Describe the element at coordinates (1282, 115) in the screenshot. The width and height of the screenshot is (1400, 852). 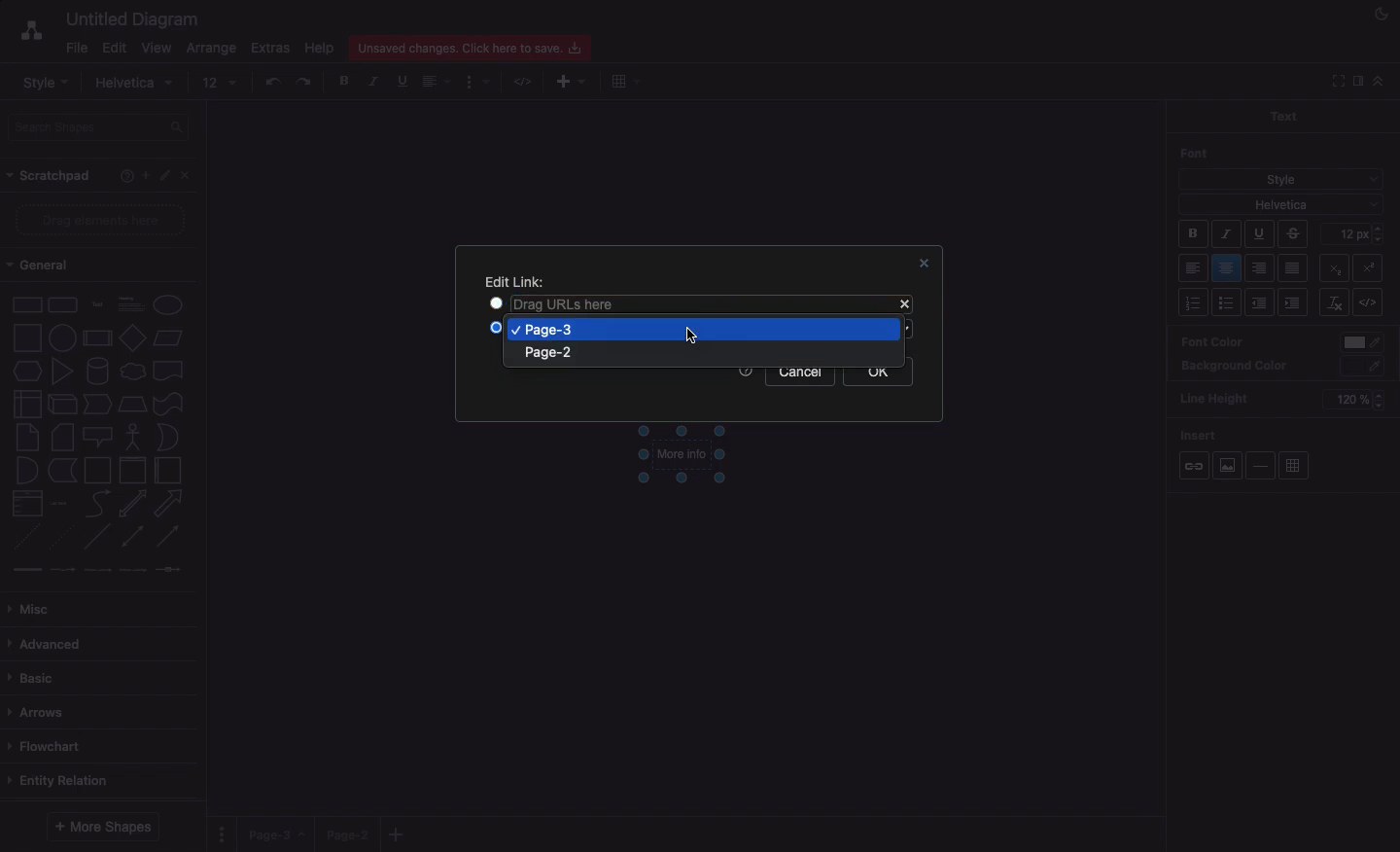
I see `Text` at that location.